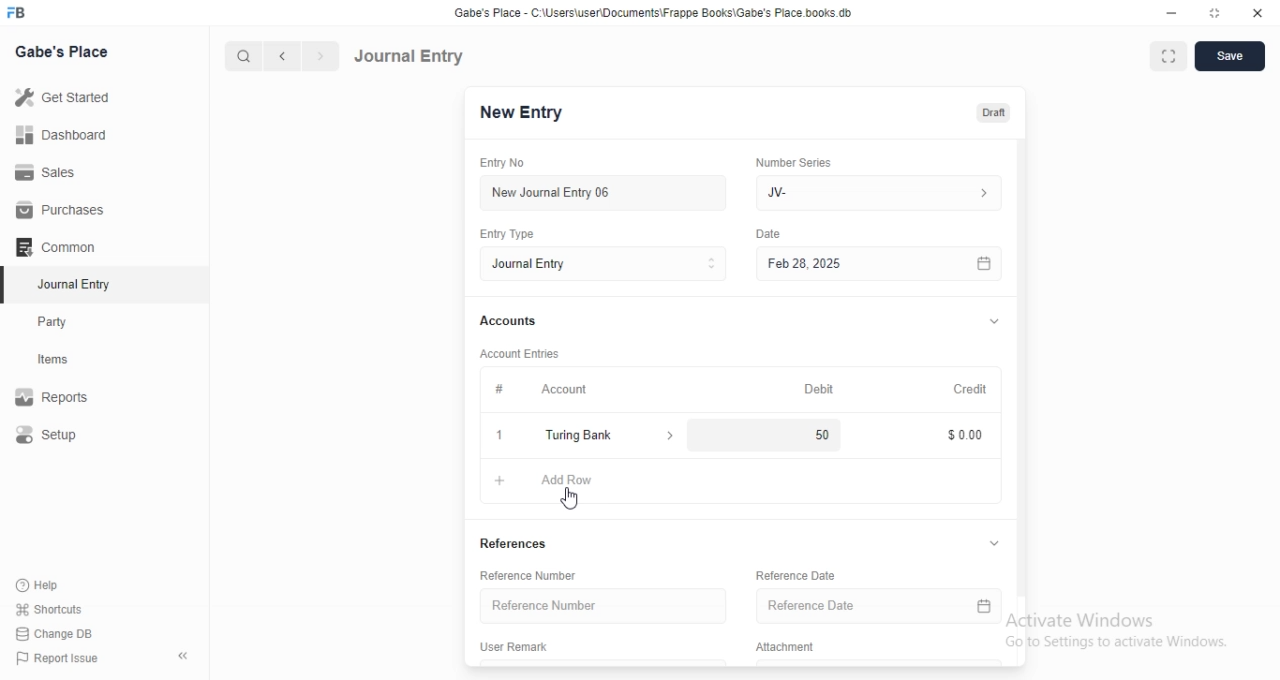  What do you see at coordinates (788, 648) in the screenshot?
I see `Attachment` at bounding box center [788, 648].